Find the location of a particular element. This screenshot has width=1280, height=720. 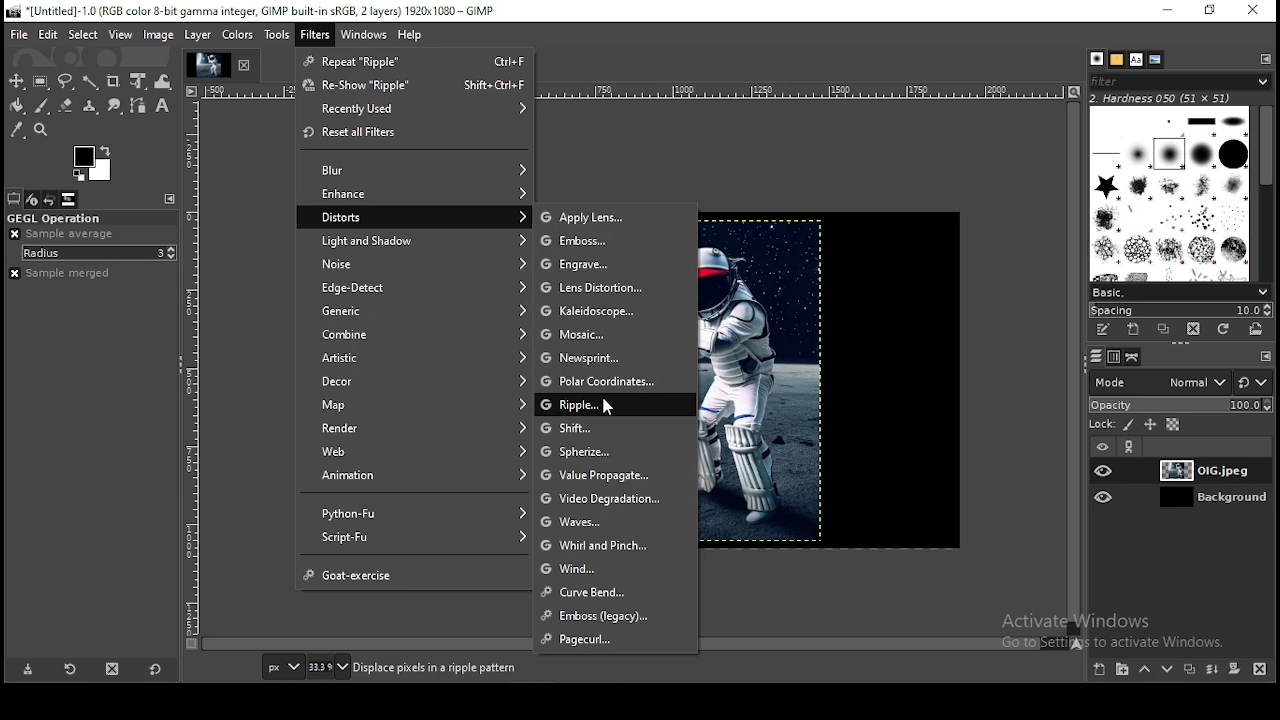

rectangle select tool is located at coordinates (43, 82).